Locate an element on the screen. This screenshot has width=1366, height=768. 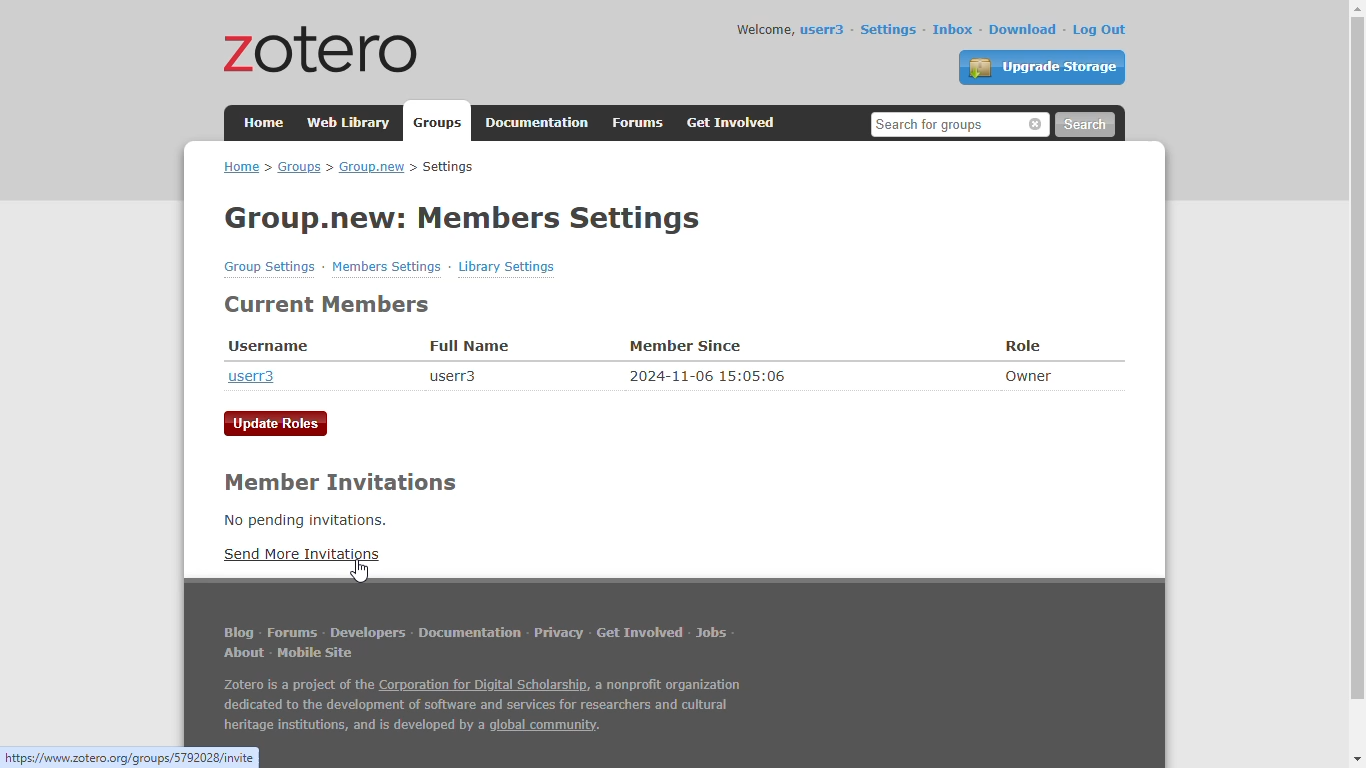
welcome, is located at coordinates (765, 29).